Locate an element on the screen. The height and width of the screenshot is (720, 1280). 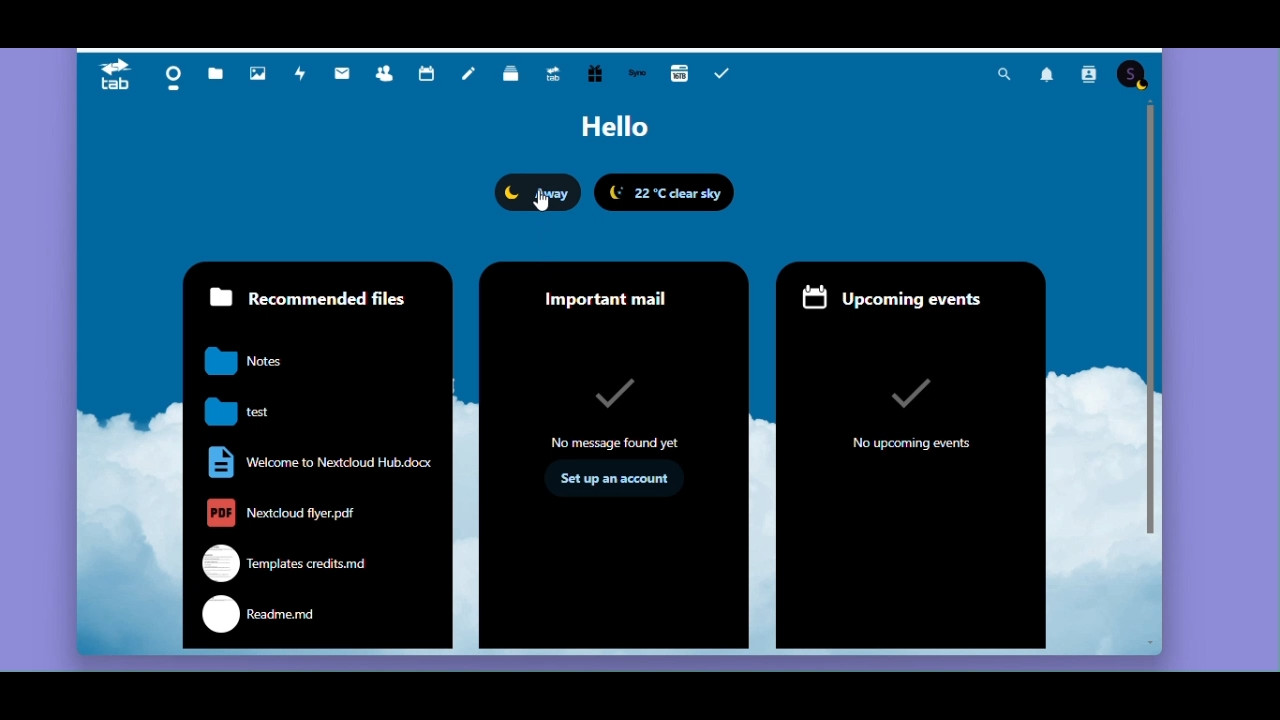
templates credits.md is located at coordinates (289, 562).